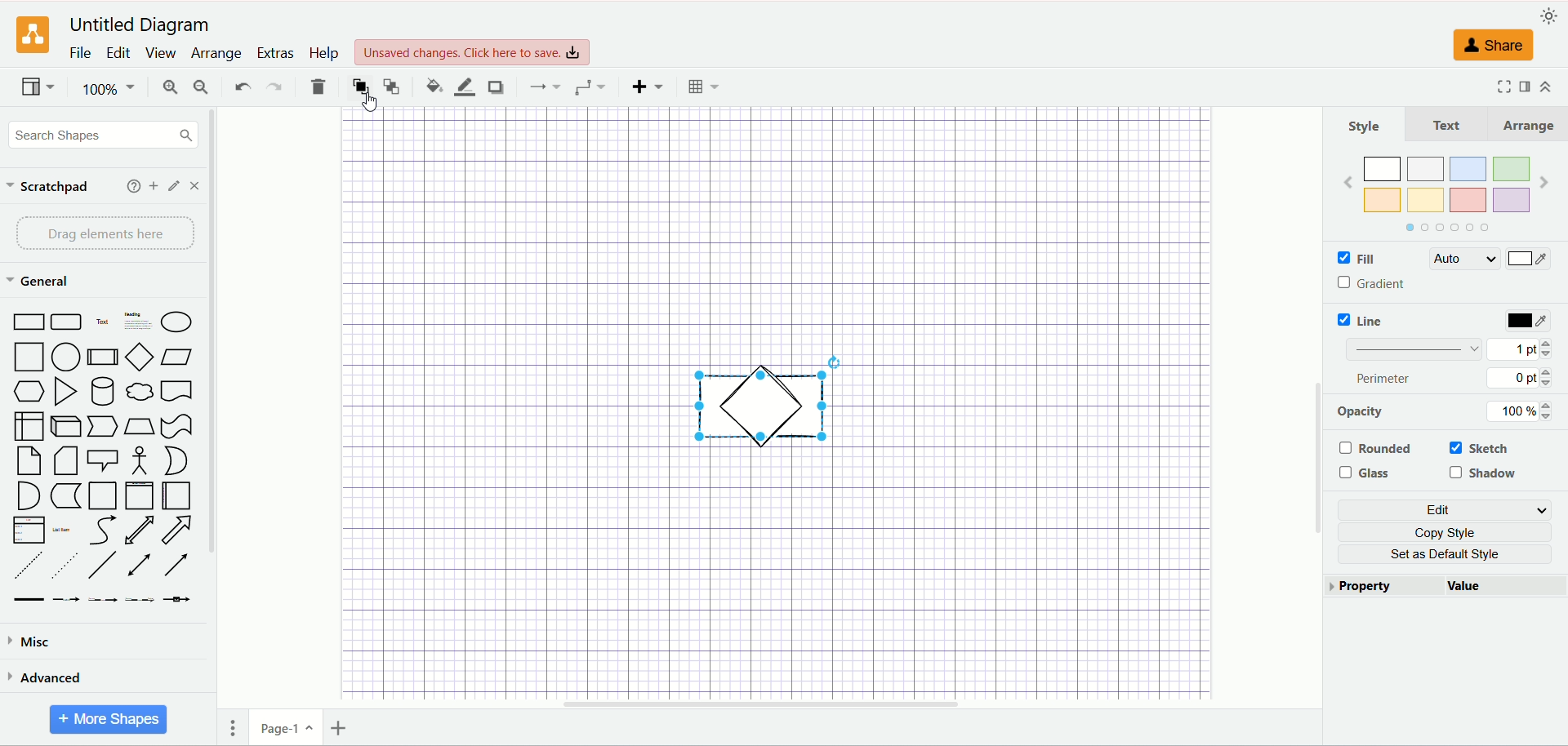 This screenshot has width=1568, height=746. Describe the element at coordinates (649, 86) in the screenshot. I see `insert` at that location.